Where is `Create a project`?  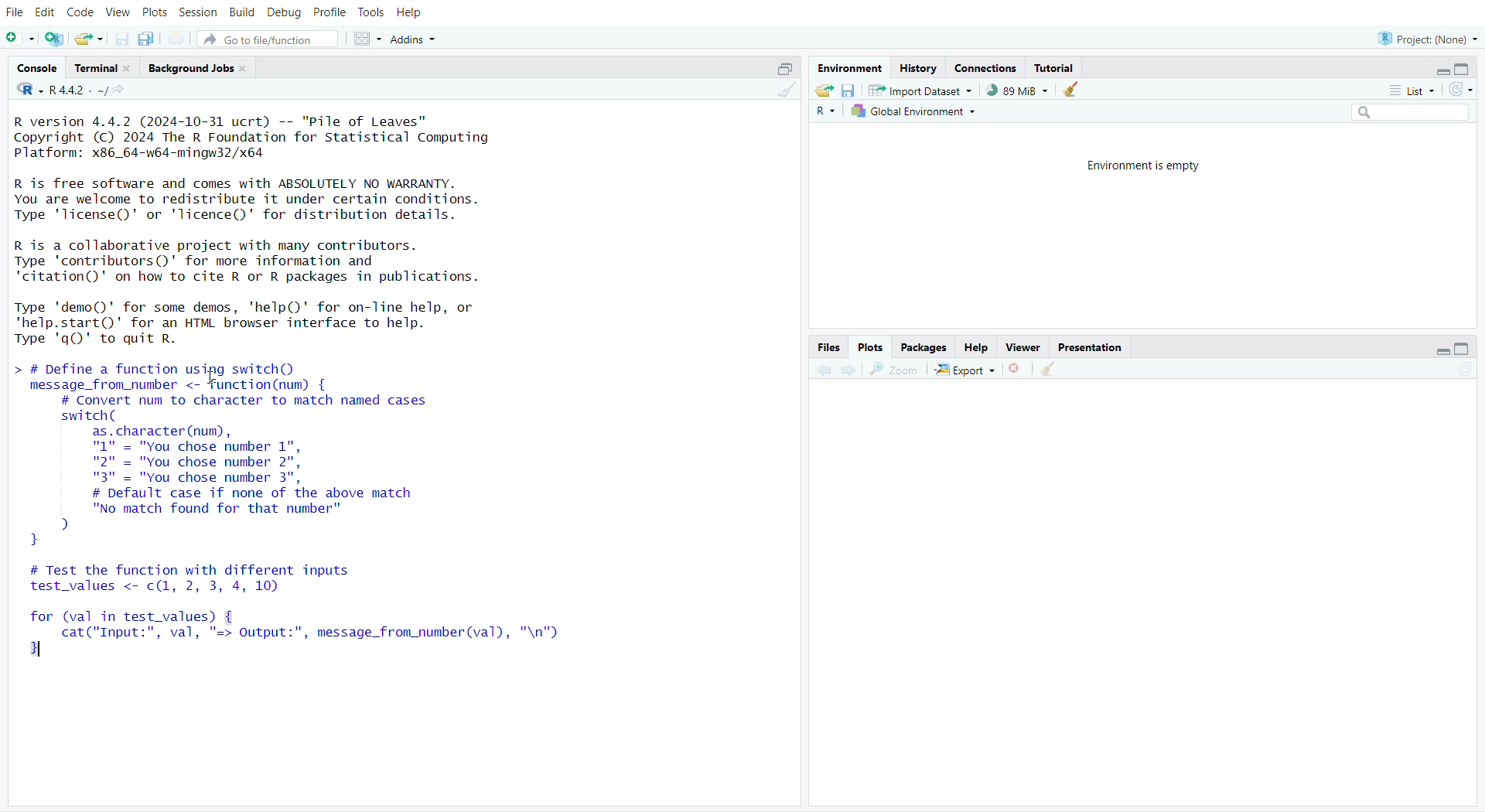
Create a project is located at coordinates (55, 39).